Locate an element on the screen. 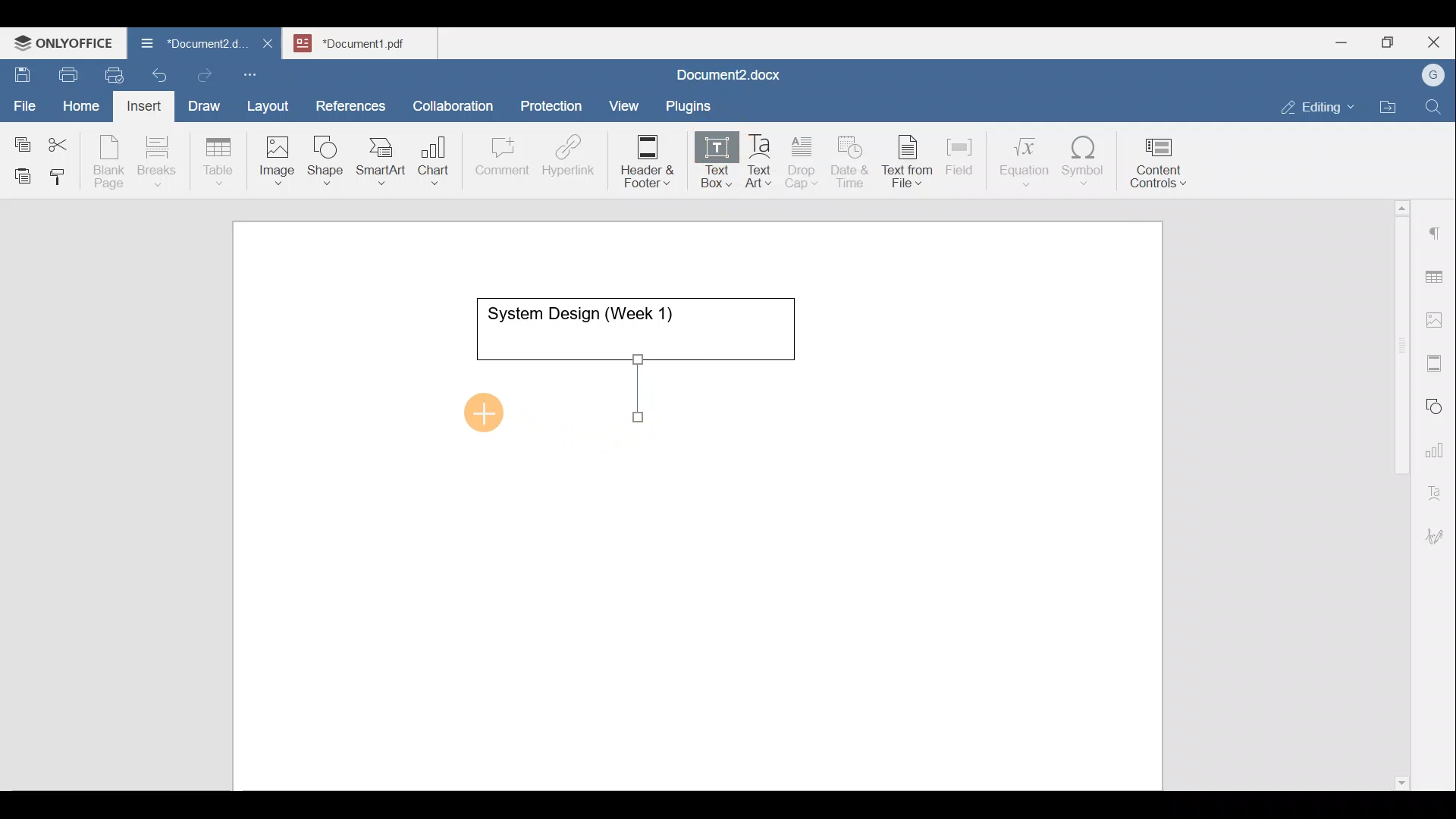 The image size is (1456, 819). Breaks is located at coordinates (156, 162).